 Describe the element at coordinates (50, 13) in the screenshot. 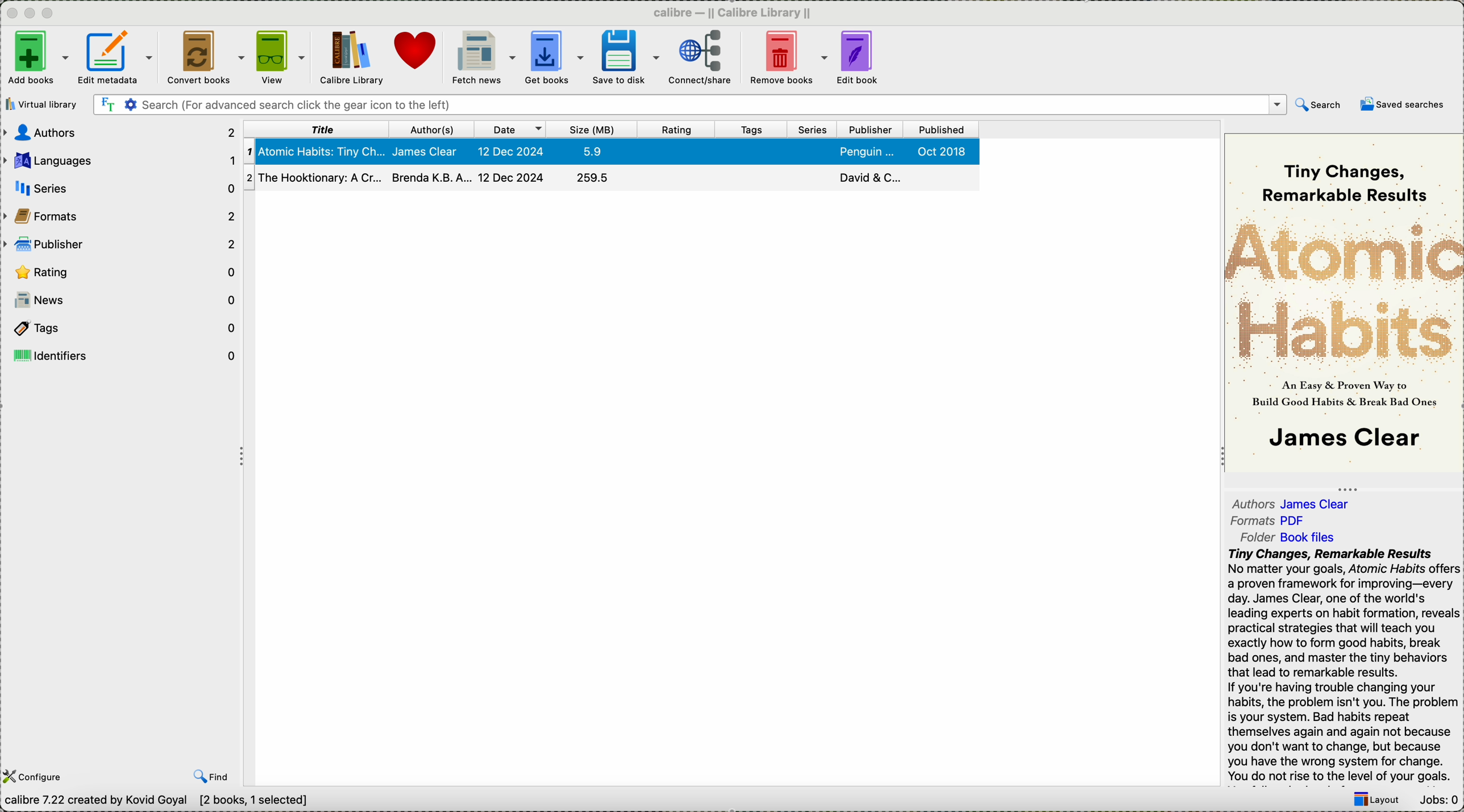

I see `maximize` at that location.